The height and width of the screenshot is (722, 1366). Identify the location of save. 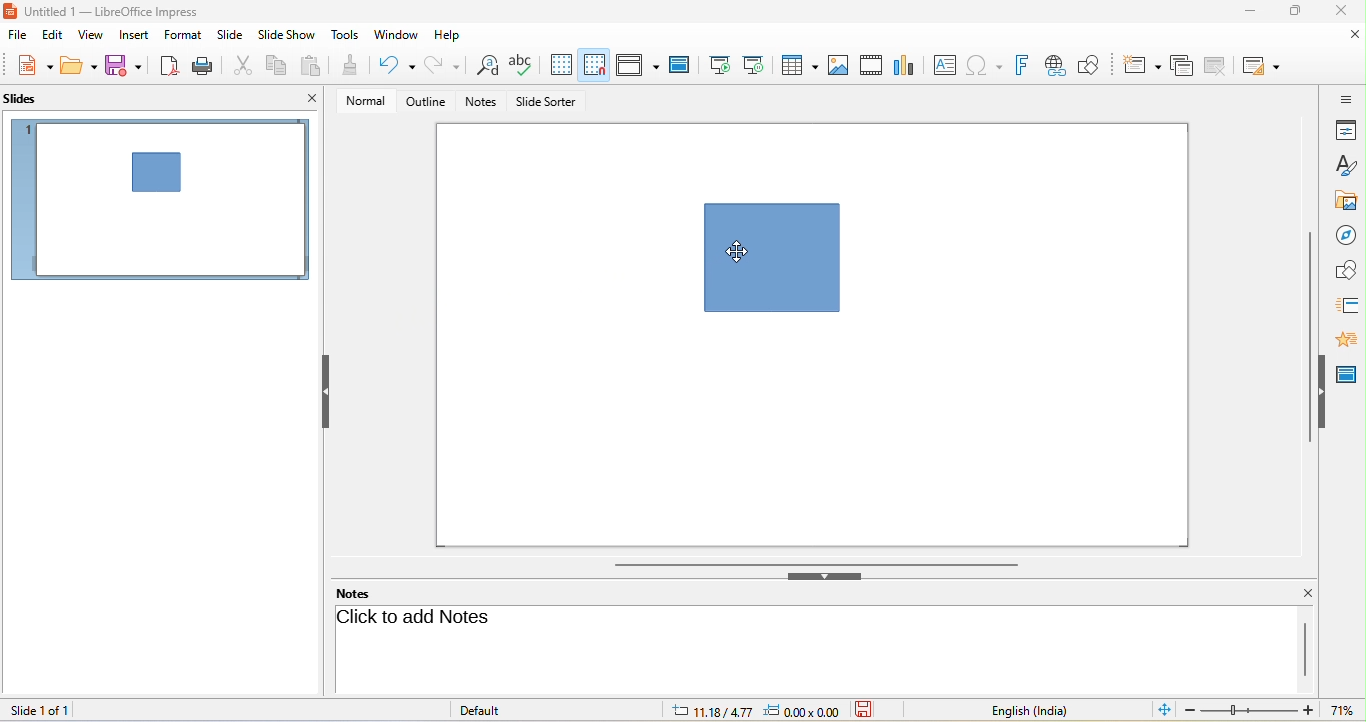
(128, 65).